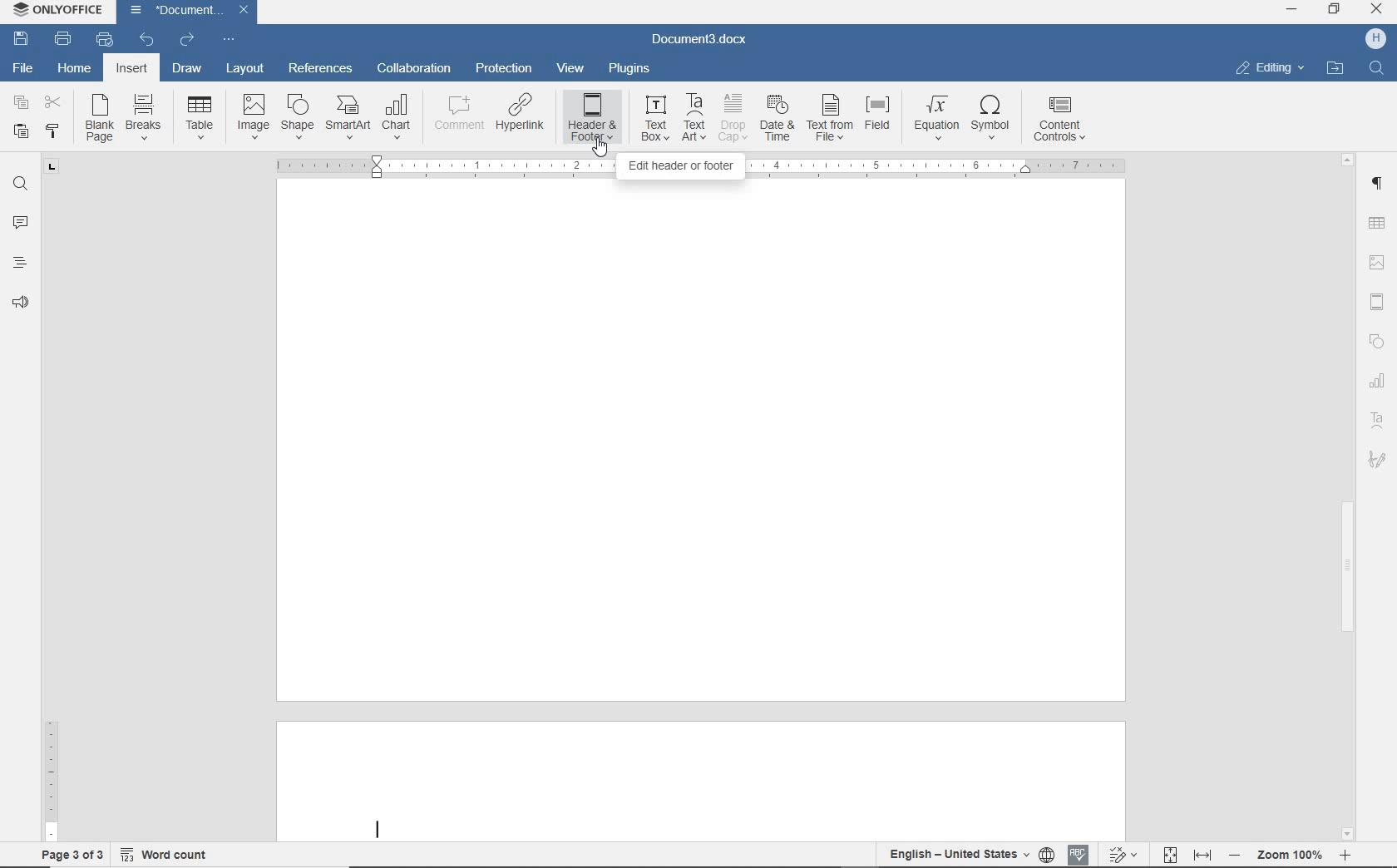  I want to click on PAGE 3 OF 3, so click(69, 852).